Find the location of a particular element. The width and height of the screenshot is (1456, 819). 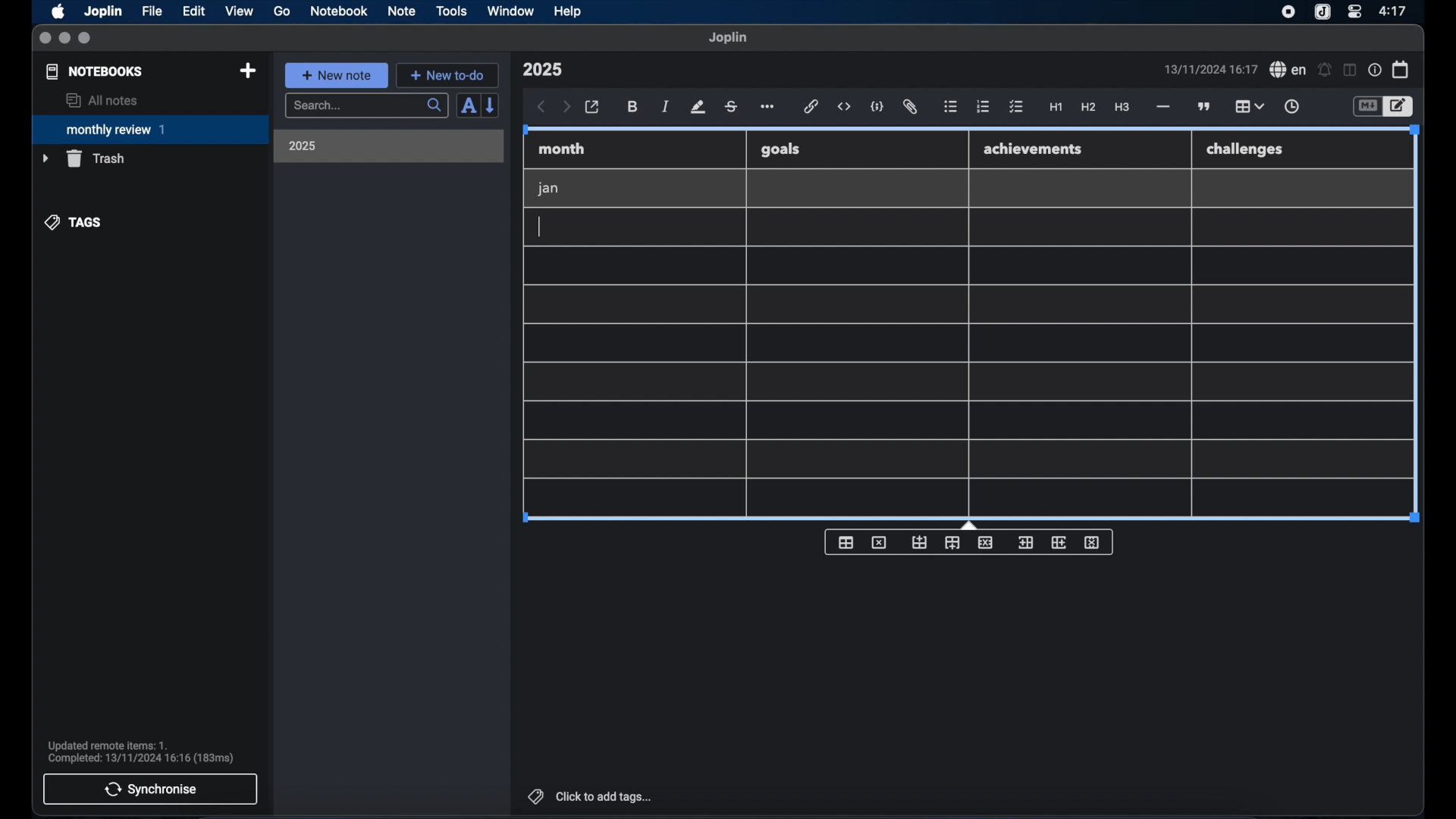

new notebook is located at coordinates (247, 71).